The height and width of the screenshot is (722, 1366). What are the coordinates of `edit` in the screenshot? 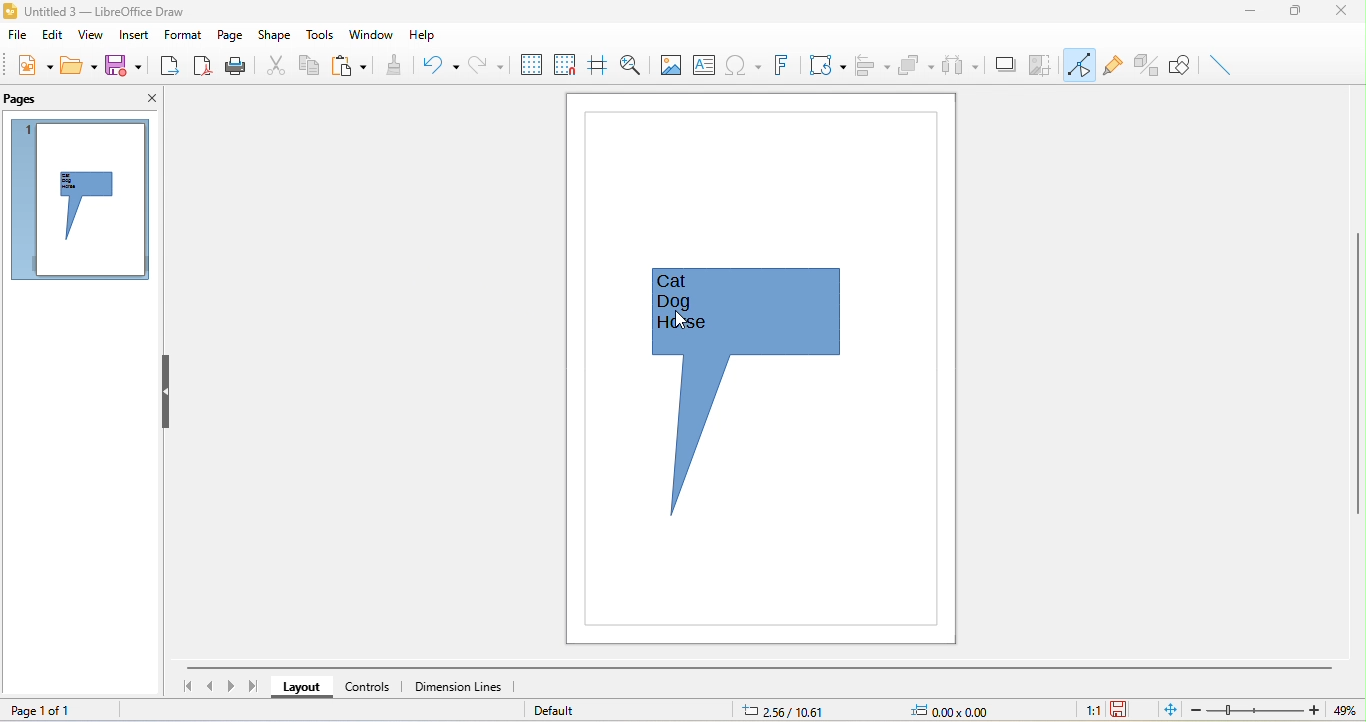 It's located at (52, 34).